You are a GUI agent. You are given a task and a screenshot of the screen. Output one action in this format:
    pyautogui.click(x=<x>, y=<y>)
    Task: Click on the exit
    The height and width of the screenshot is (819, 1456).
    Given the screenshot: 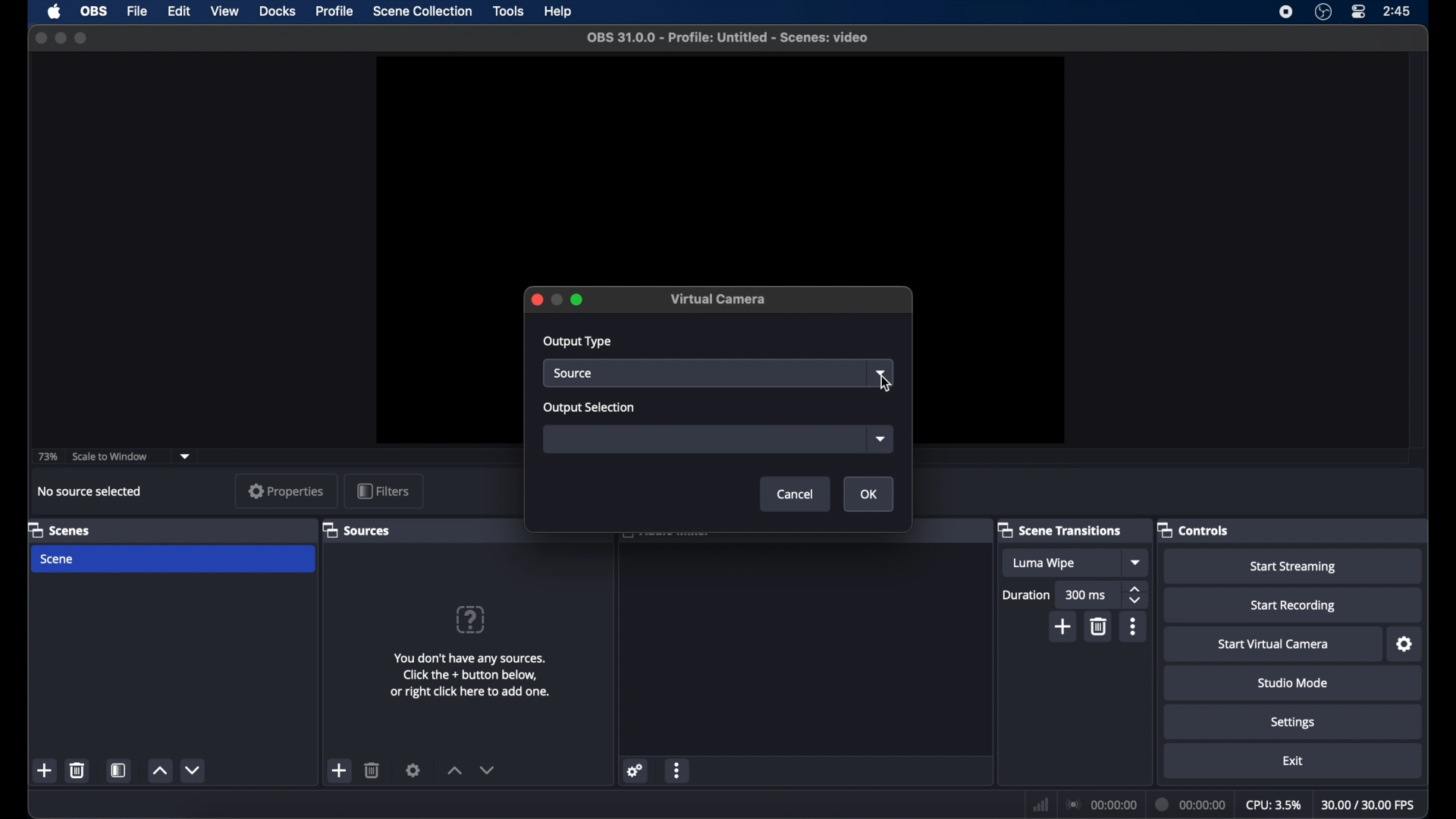 What is the action you would take?
    pyautogui.click(x=1293, y=761)
    